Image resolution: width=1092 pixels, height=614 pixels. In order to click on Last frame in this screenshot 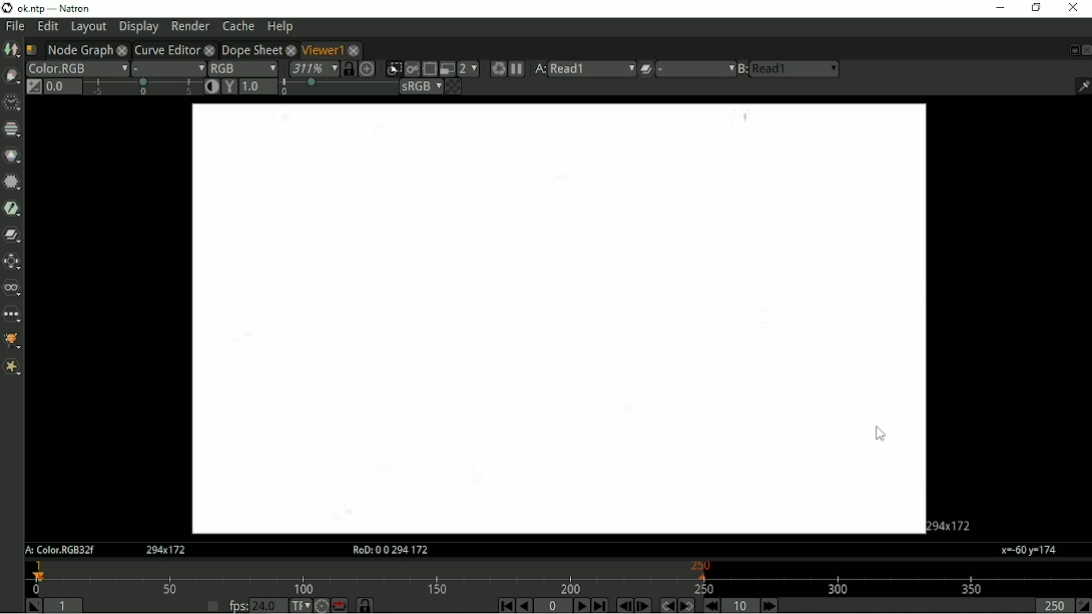, I will do `click(599, 605)`.